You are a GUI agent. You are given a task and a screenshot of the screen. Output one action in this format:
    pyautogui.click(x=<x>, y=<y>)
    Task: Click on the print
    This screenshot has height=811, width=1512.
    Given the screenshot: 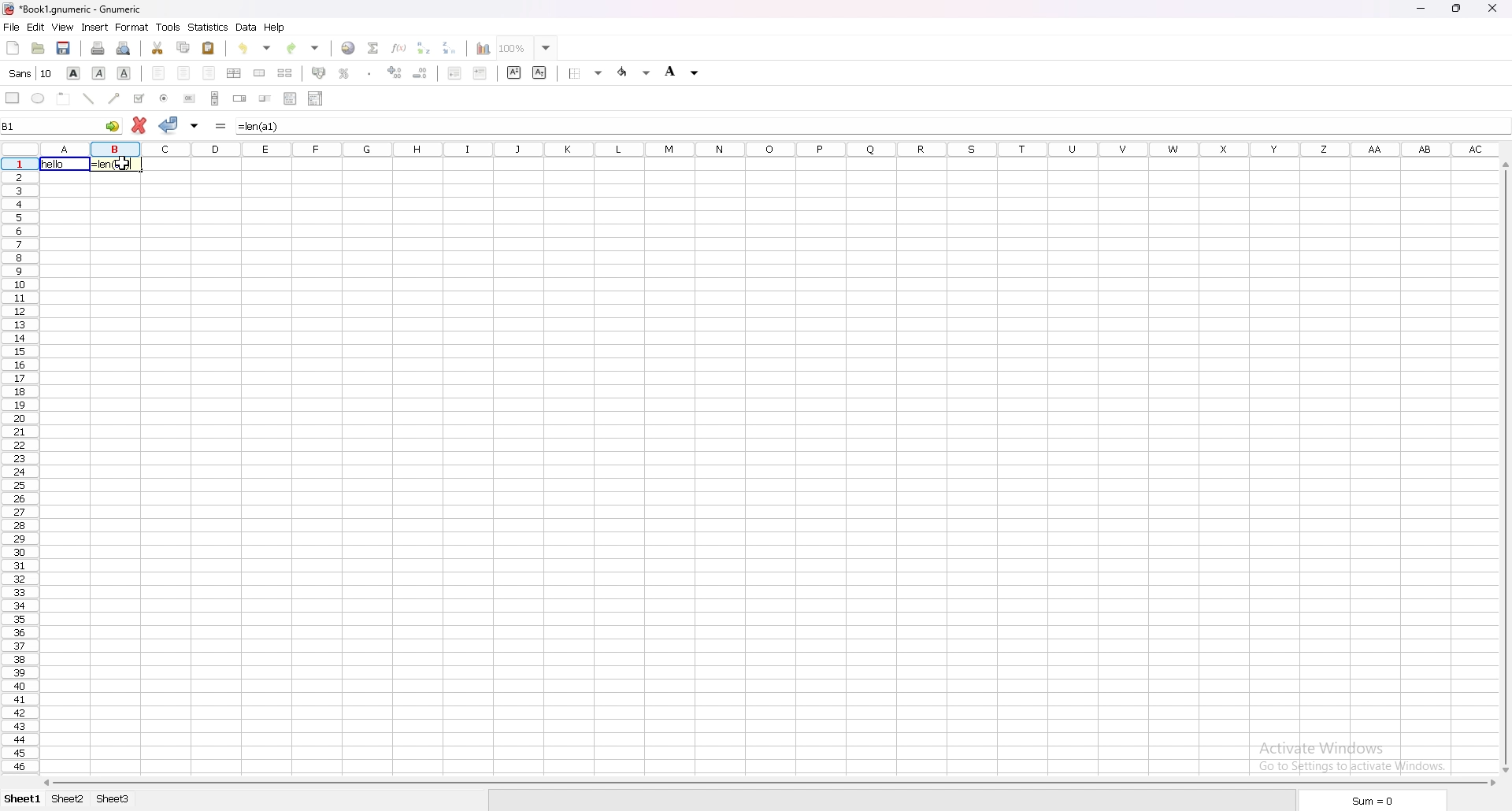 What is the action you would take?
    pyautogui.click(x=98, y=48)
    